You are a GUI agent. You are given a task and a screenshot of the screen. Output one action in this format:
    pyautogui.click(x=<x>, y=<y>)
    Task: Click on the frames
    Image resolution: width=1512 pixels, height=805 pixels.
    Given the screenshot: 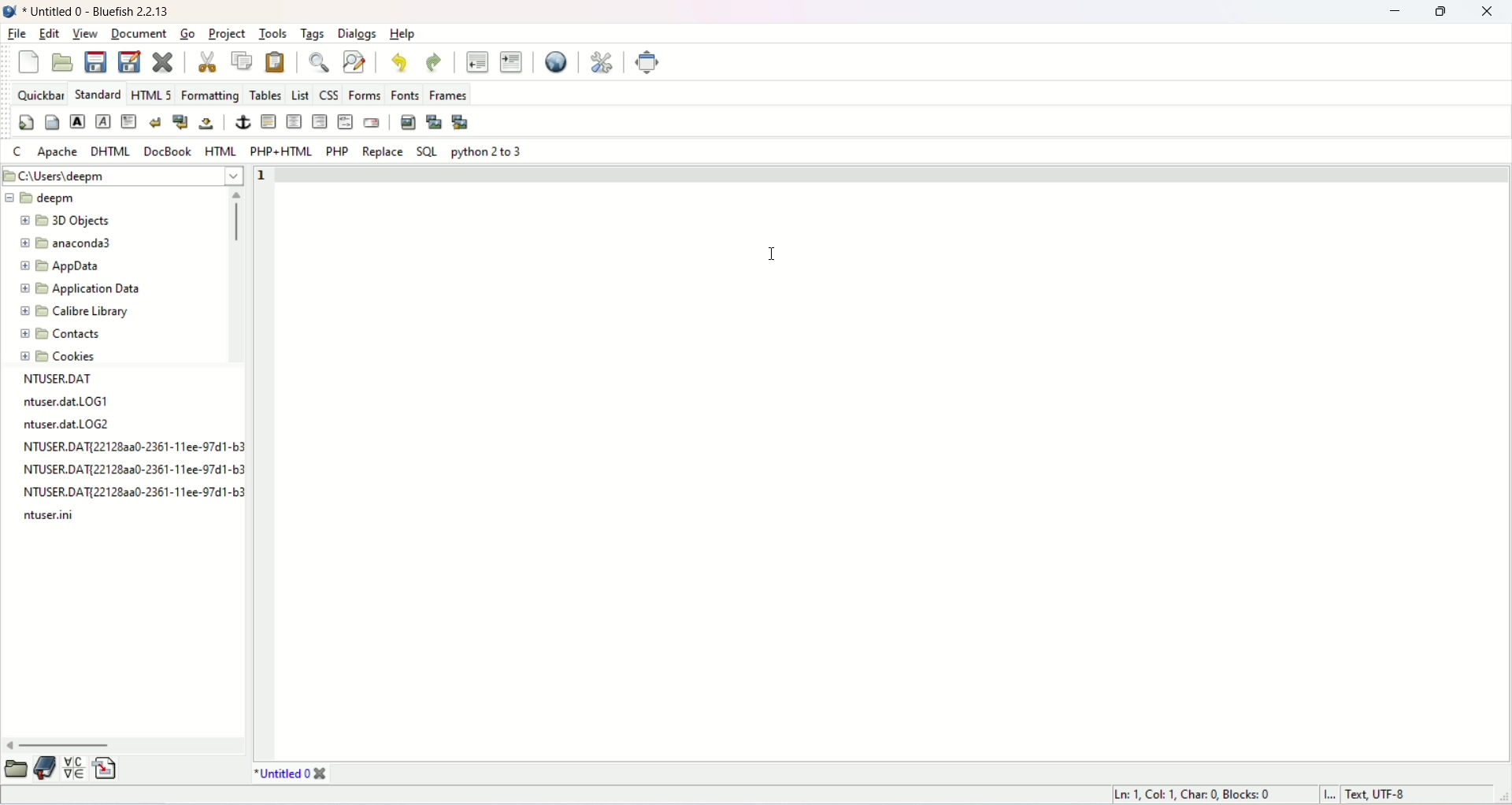 What is the action you would take?
    pyautogui.click(x=453, y=92)
    